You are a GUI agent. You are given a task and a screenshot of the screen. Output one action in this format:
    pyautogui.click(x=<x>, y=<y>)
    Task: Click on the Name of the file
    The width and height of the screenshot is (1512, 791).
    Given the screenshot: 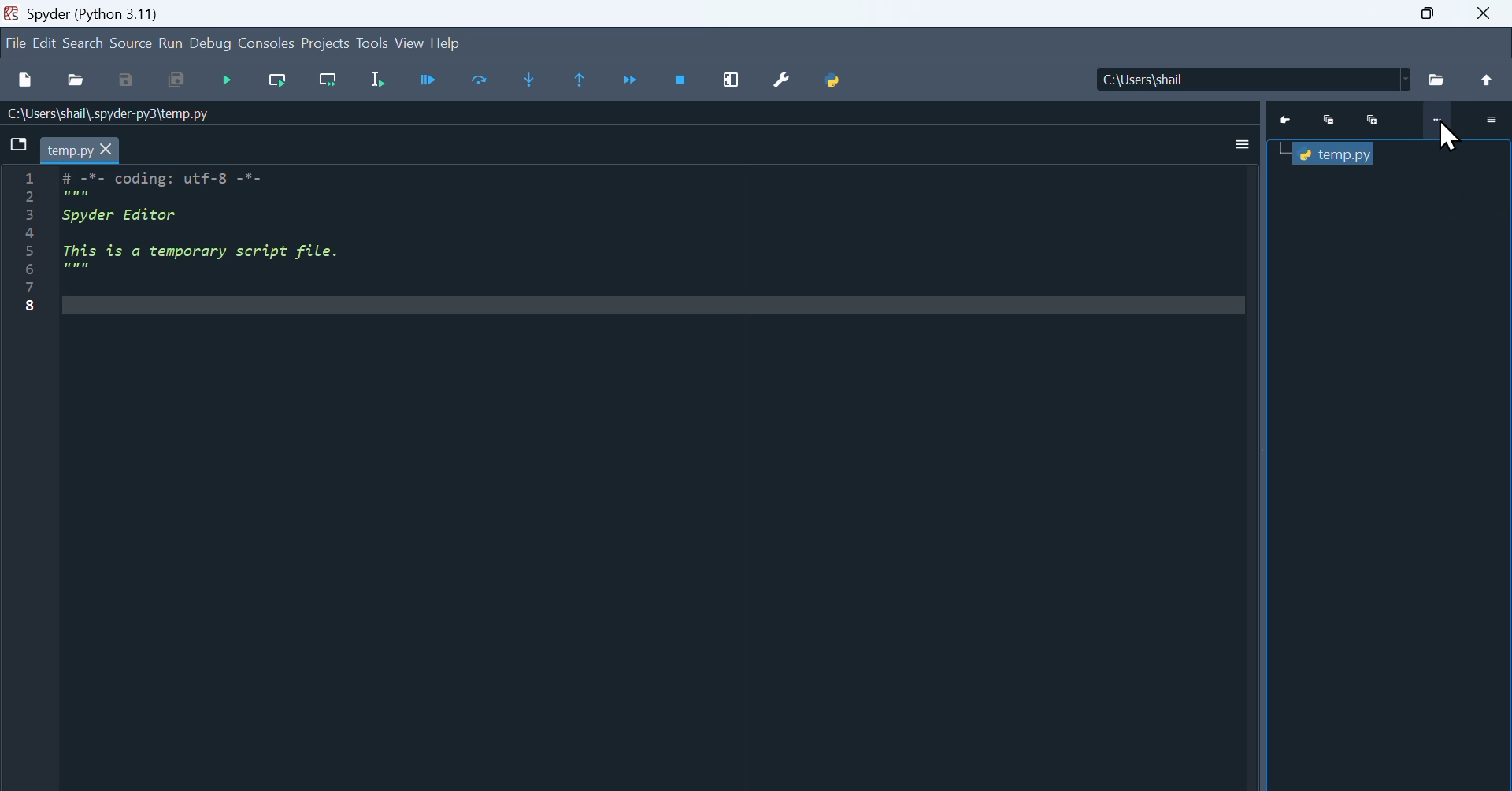 What is the action you would take?
    pyautogui.click(x=107, y=113)
    